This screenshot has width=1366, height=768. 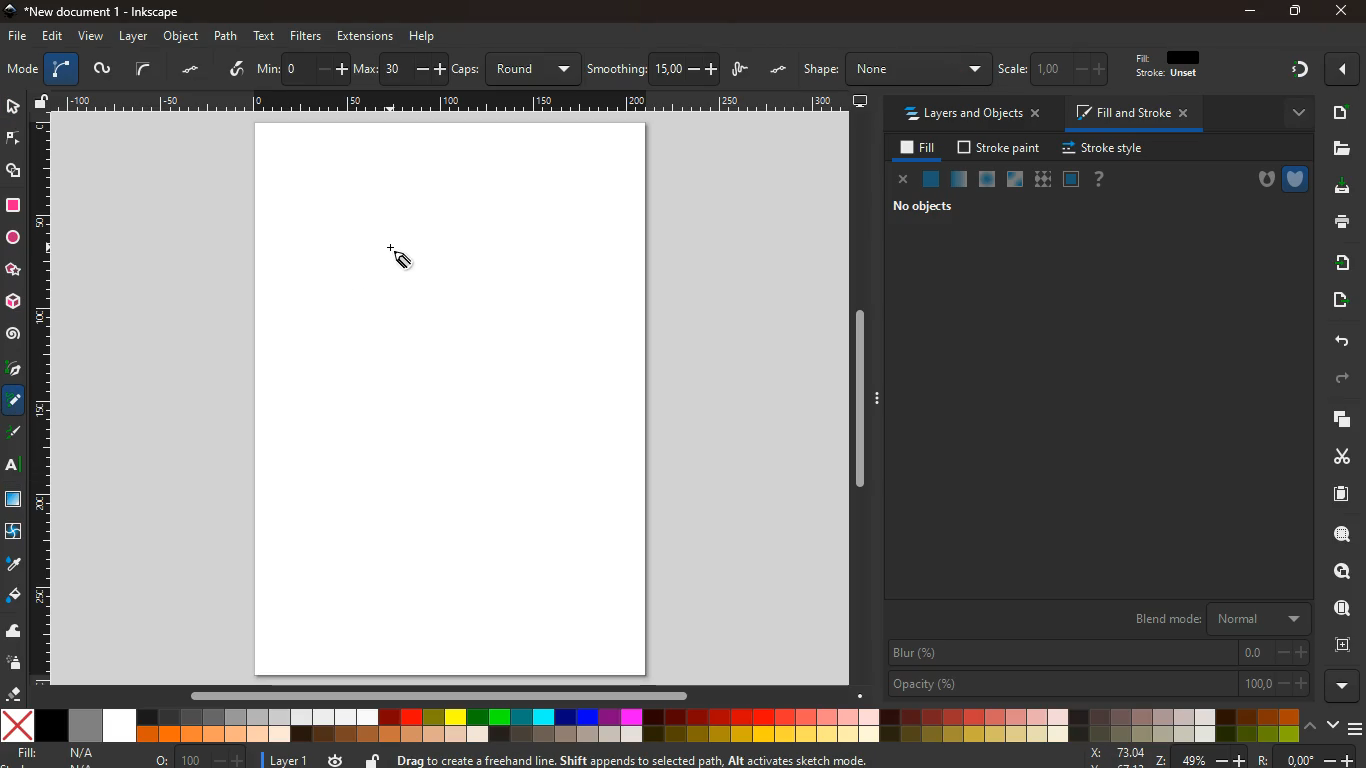 What do you see at coordinates (1071, 181) in the screenshot?
I see `square` at bounding box center [1071, 181].